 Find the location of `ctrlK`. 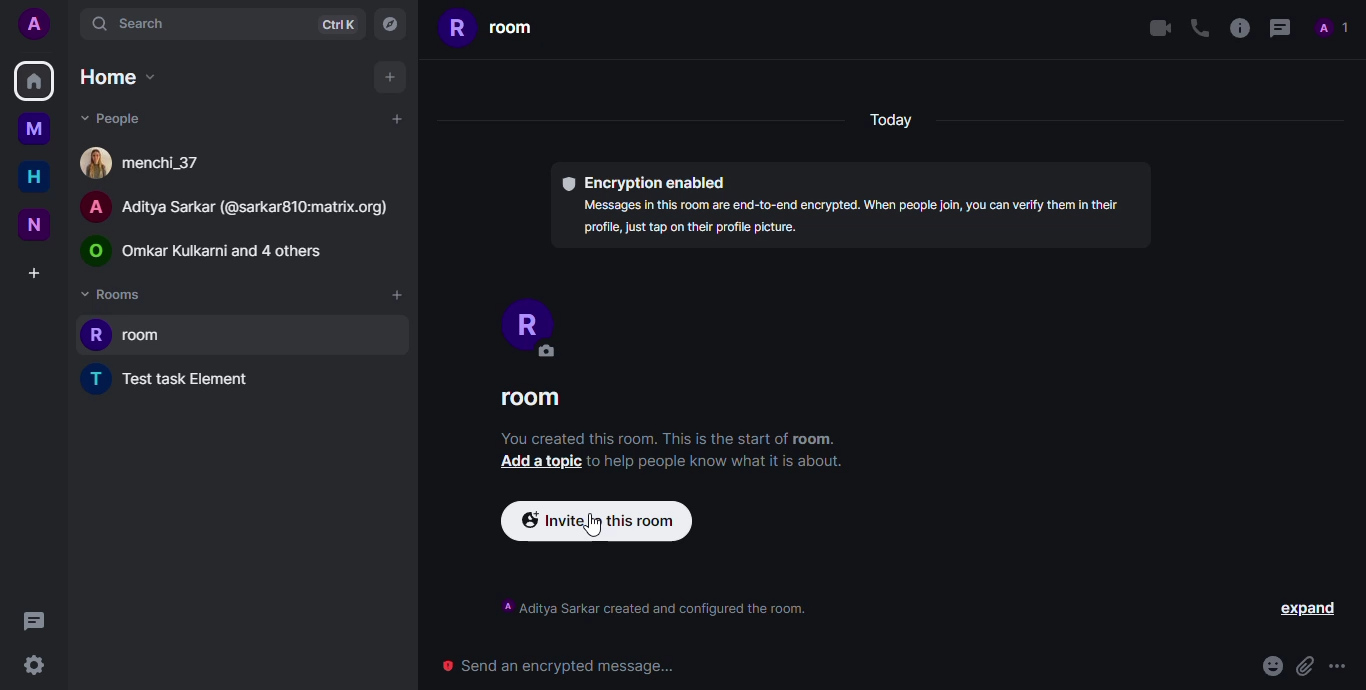

ctrlK is located at coordinates (338, 25).